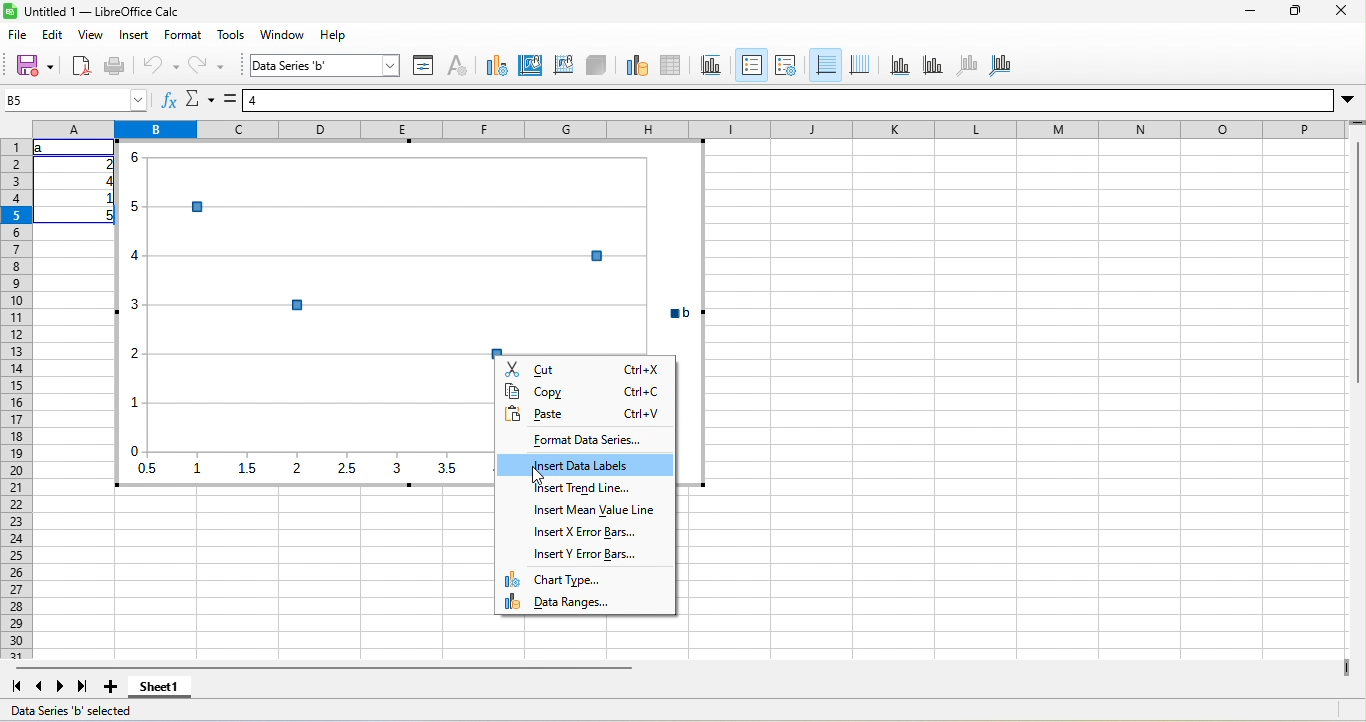 Image resolution: width=1366 pixels, height=722 pixels. What do you see at coordinates (1341, 10) in the screenshot?
I see `close` at bounding box center [1341, 10].